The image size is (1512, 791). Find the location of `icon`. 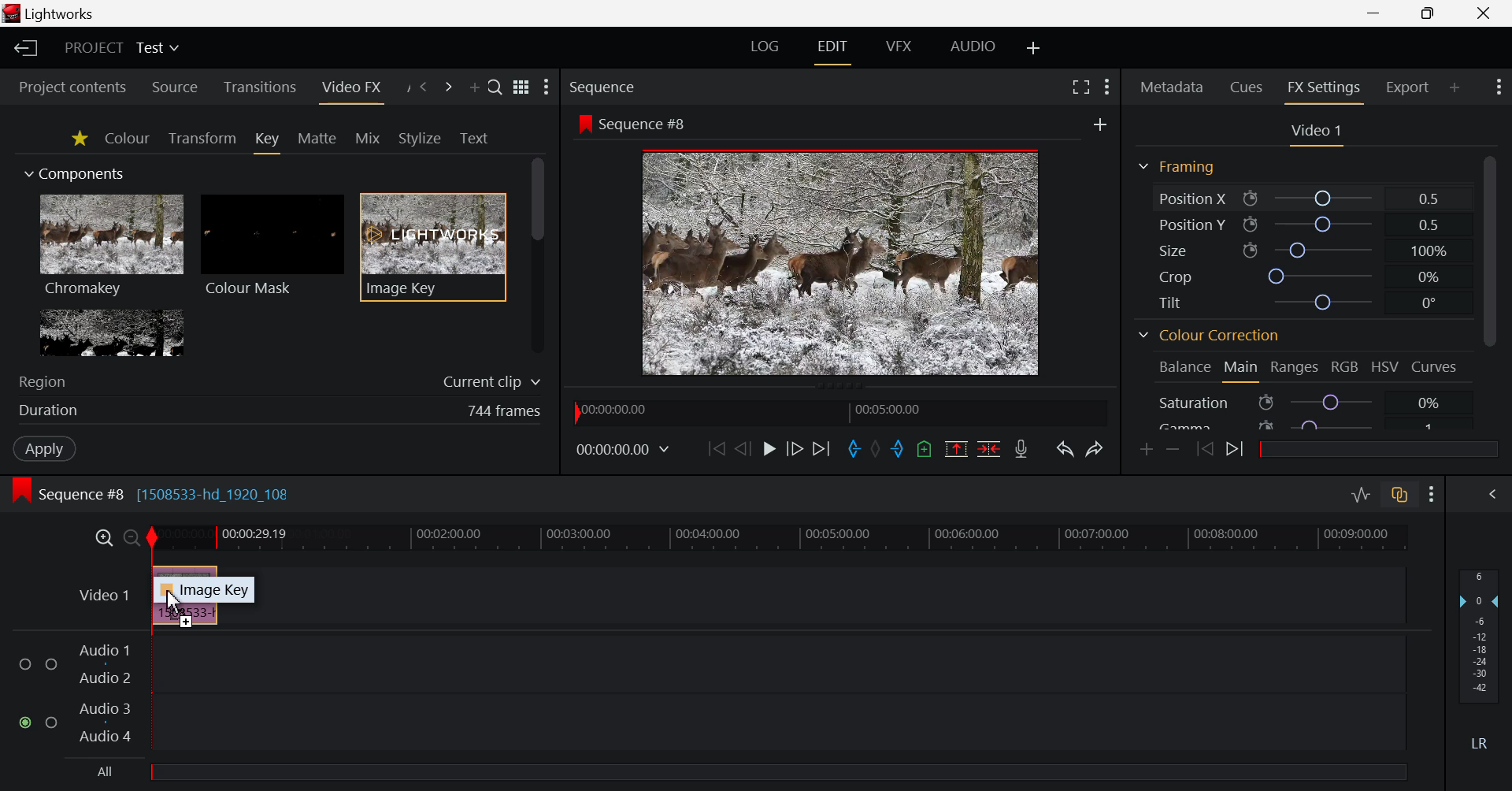

icon is located at coordinates (1249, 225).